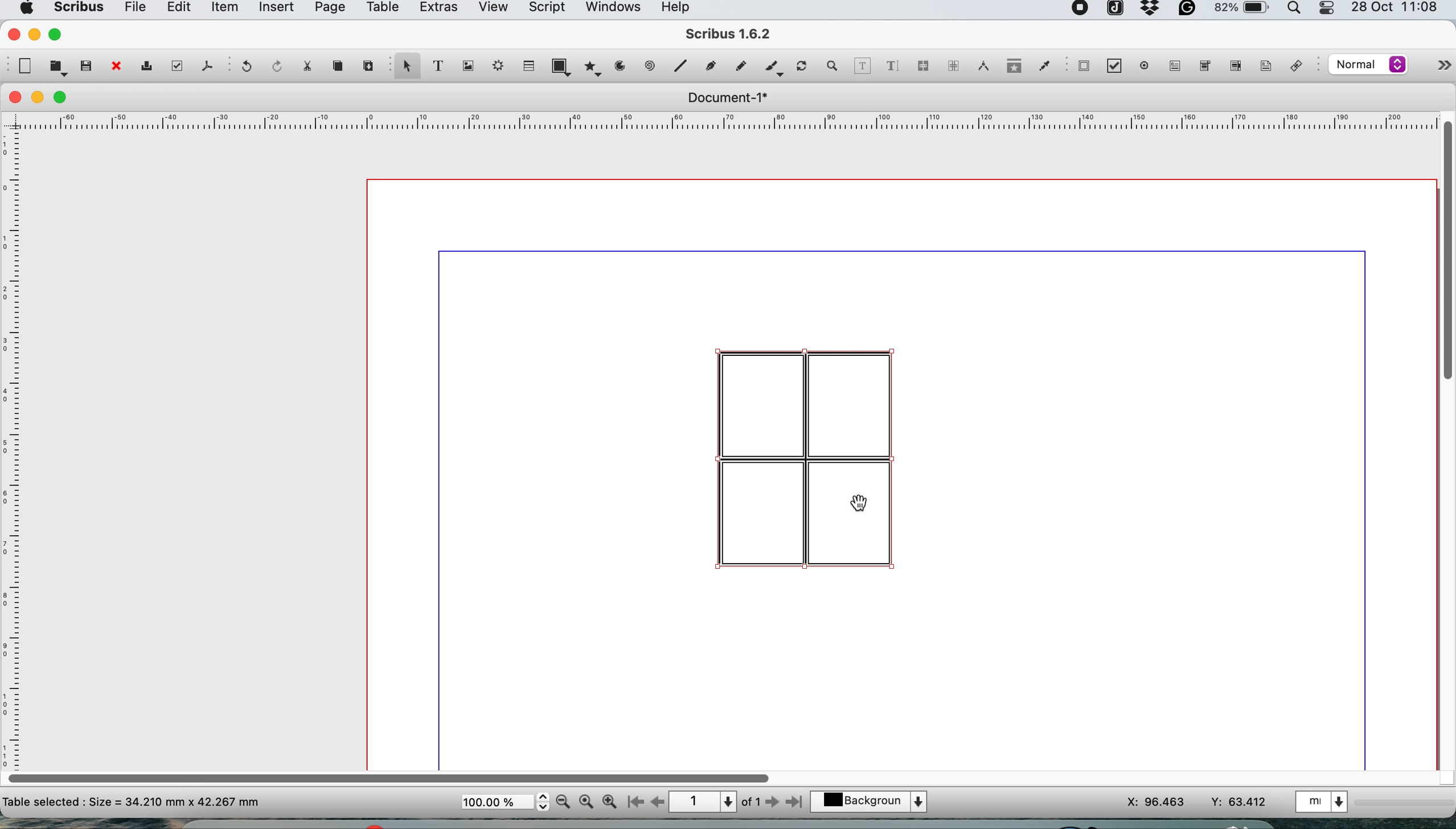  Describe the element at coordinates (1297, 11) in the screenshot. I see `spotlight search` at that location.